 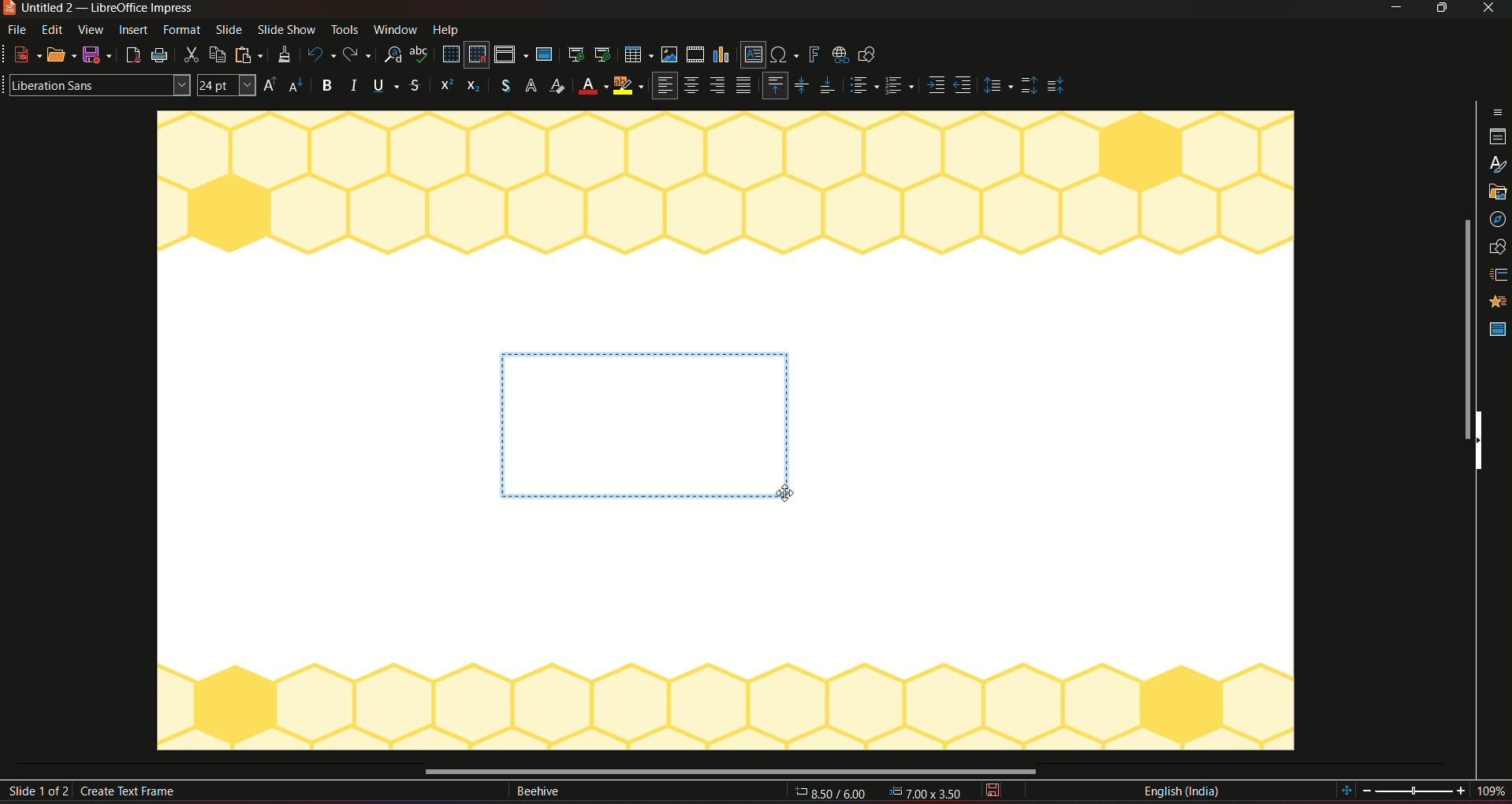 I want to click on find and replace, so click(x=394, y=55).